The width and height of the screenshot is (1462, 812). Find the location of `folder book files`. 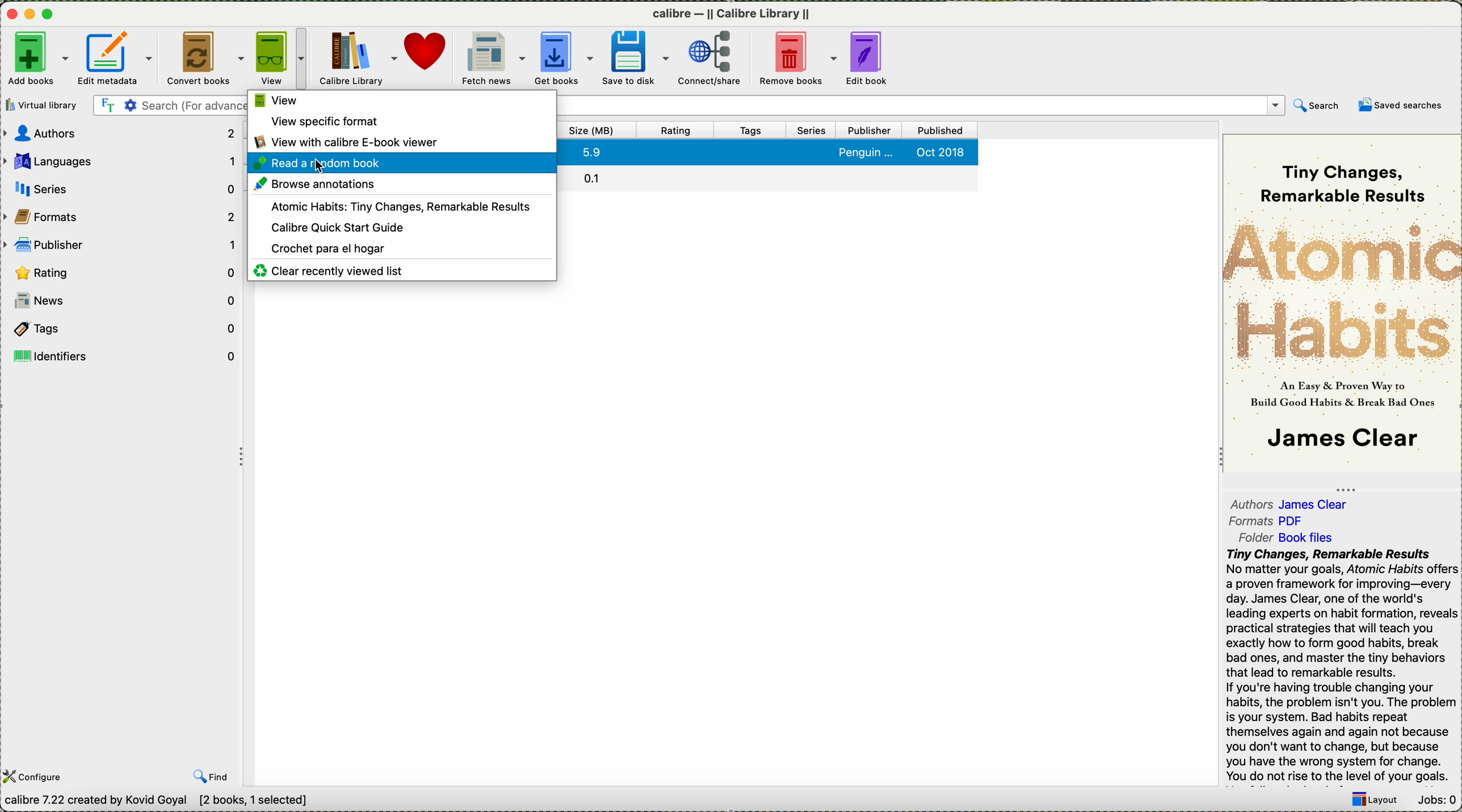

folder book files is located at coordinates (1282, 537).